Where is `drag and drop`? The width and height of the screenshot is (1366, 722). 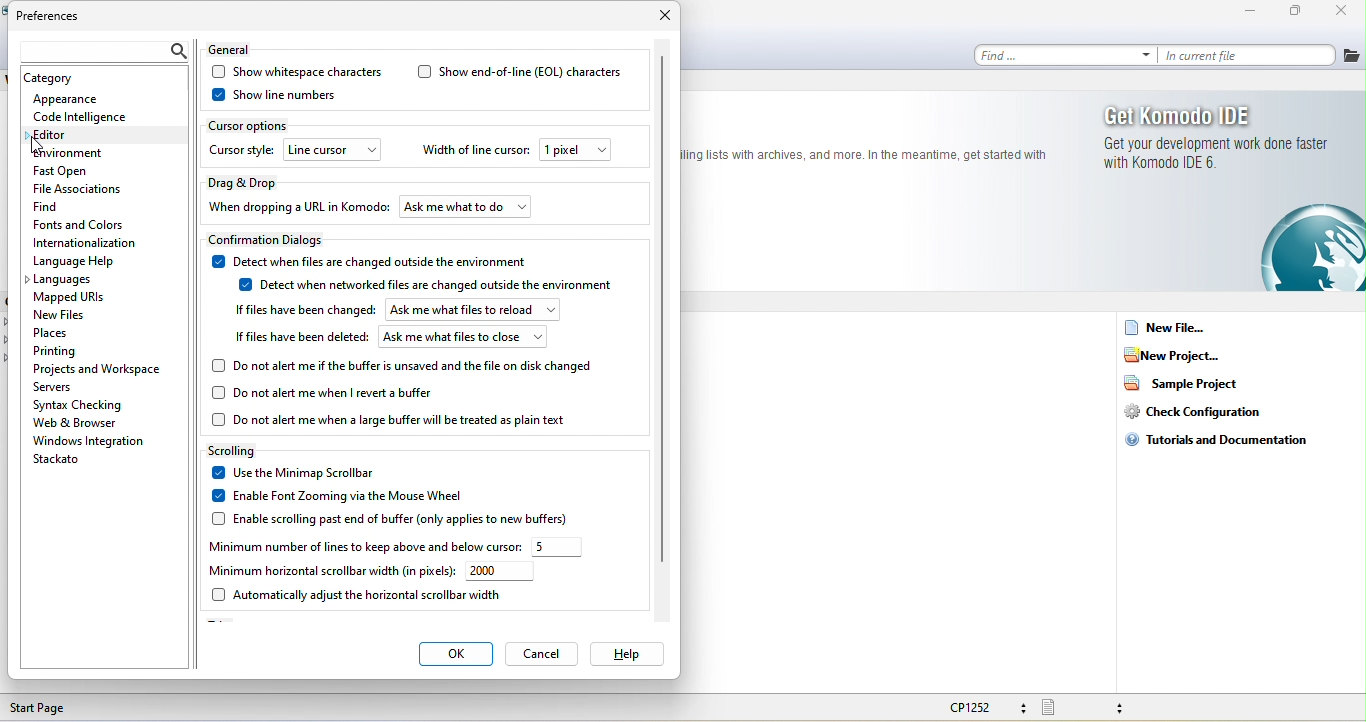
drag and drop is located at coordinates (248, 181).